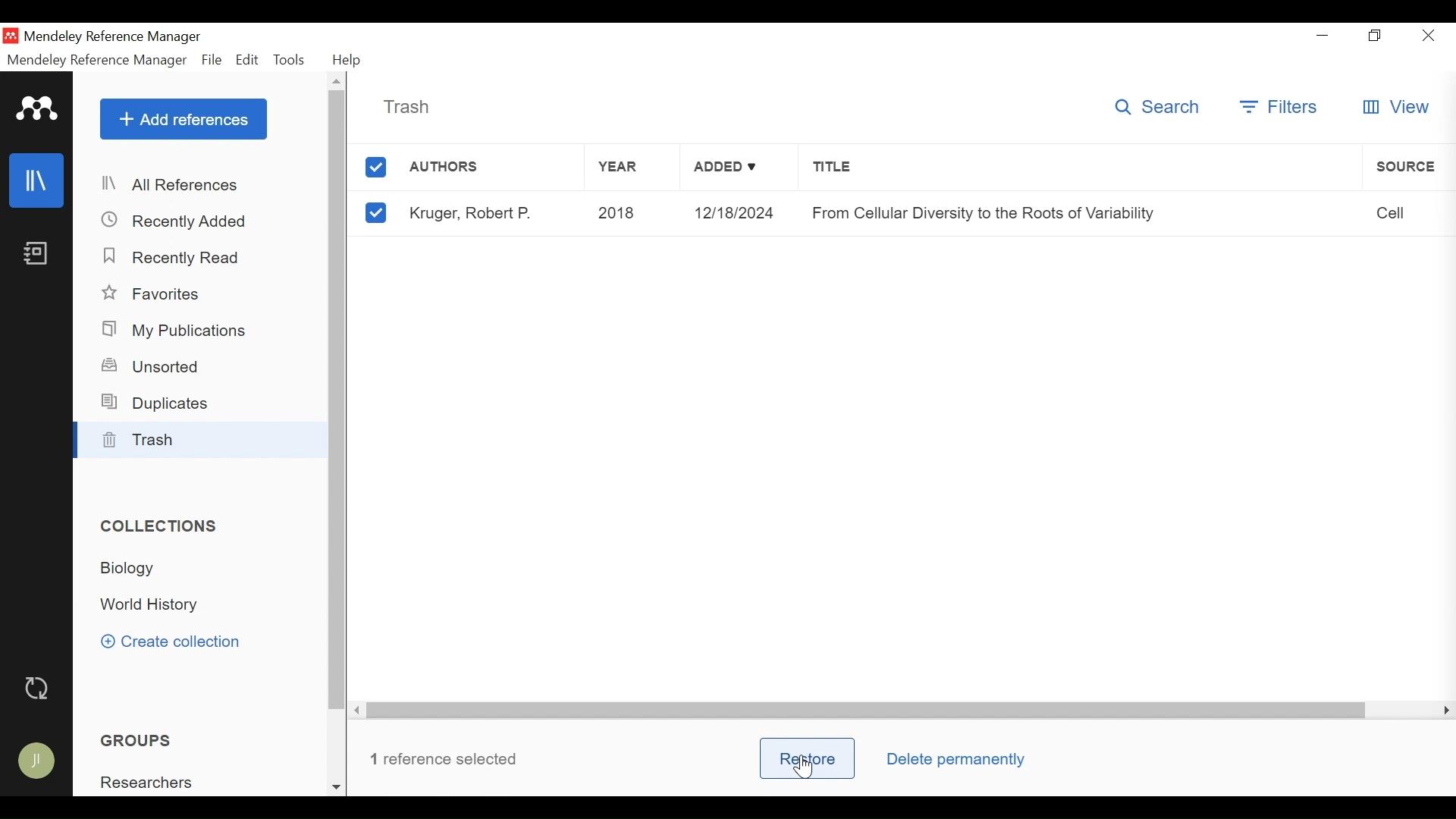  I want to click on Title, so click(1081, 170).